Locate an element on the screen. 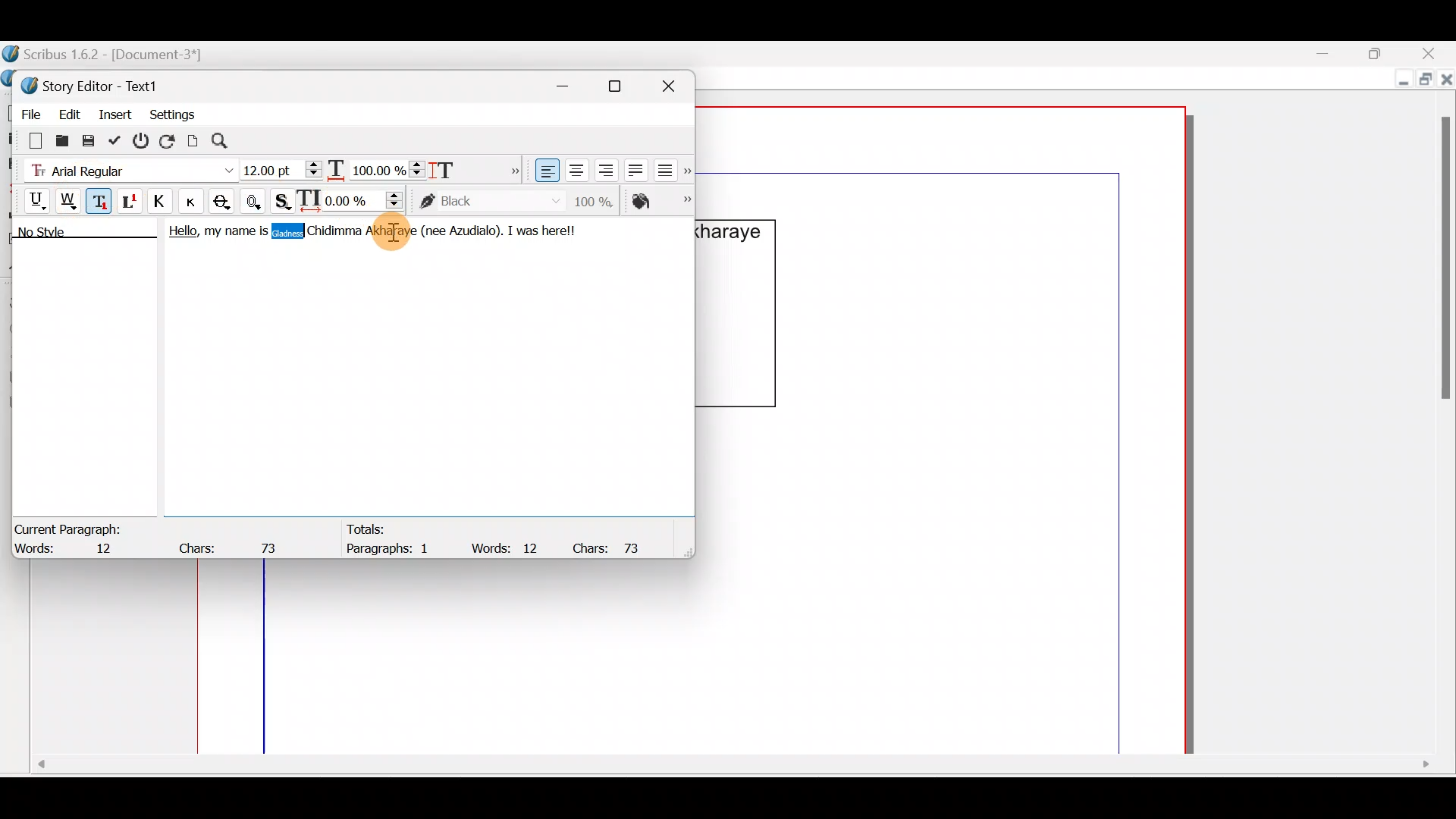  Outline is located at coordinates (256, 199).